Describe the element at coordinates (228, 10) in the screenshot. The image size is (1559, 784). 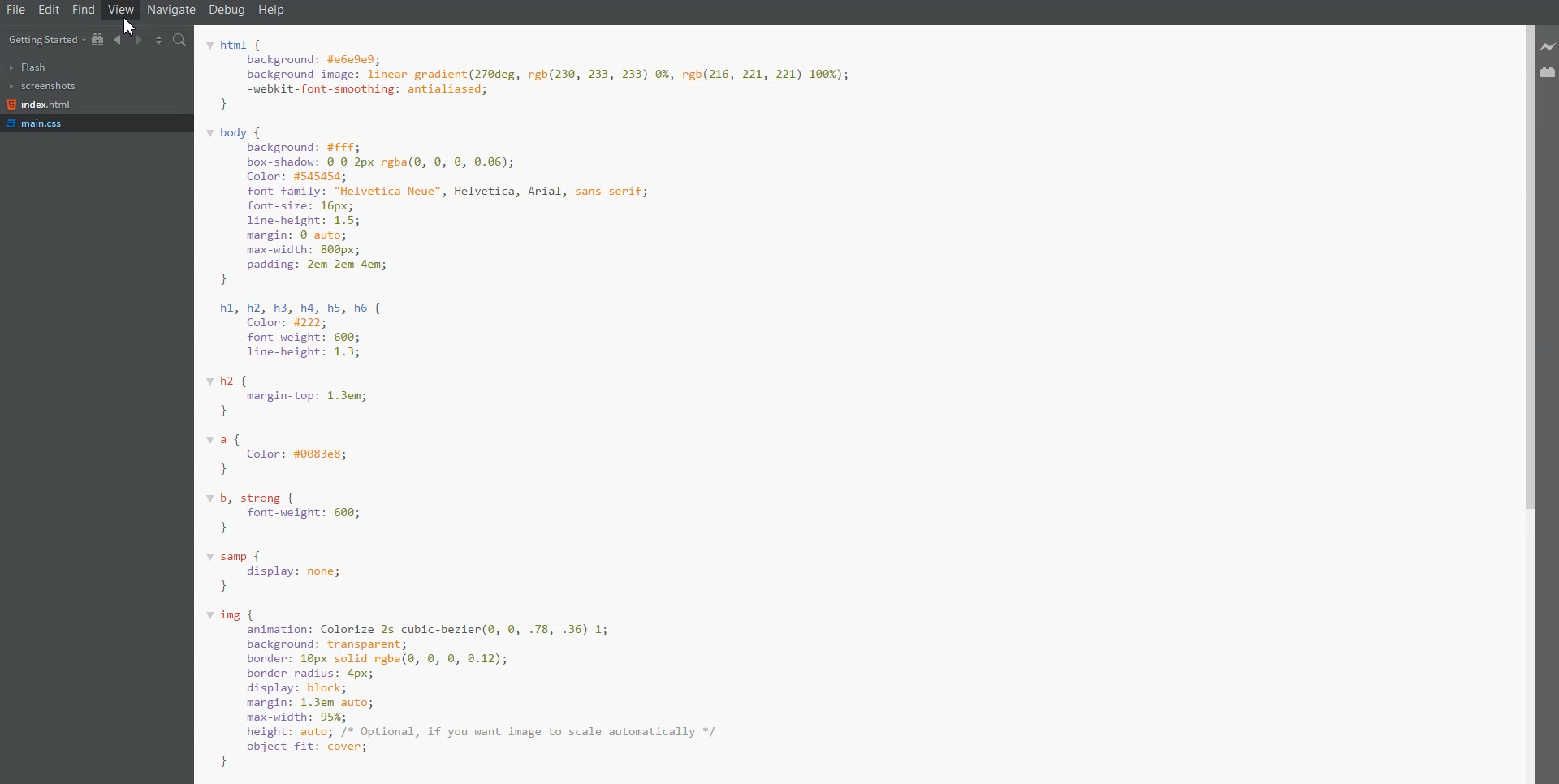
I see `Debug` at that location.